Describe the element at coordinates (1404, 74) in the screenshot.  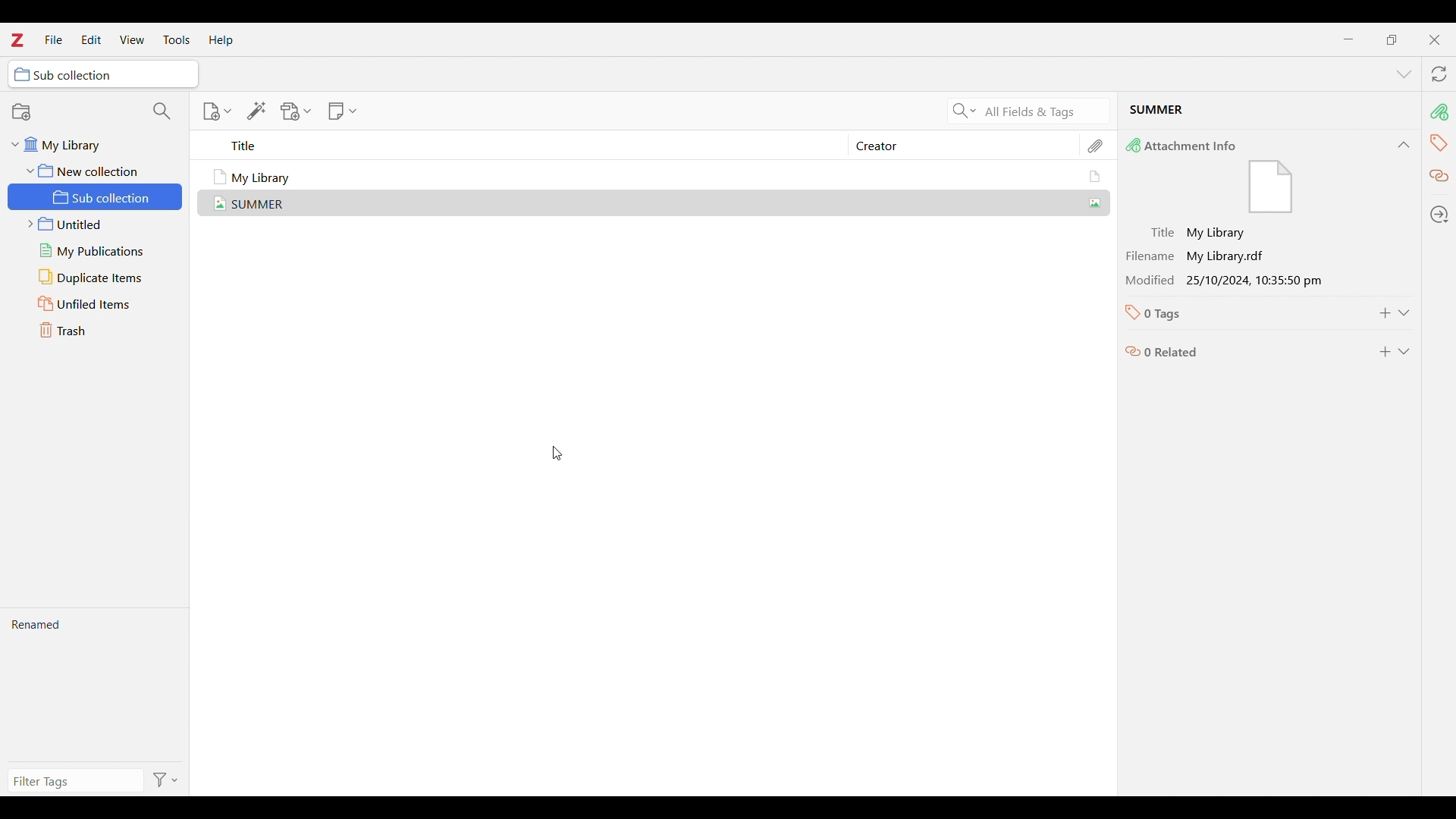
I see `List all tabs` at that location.